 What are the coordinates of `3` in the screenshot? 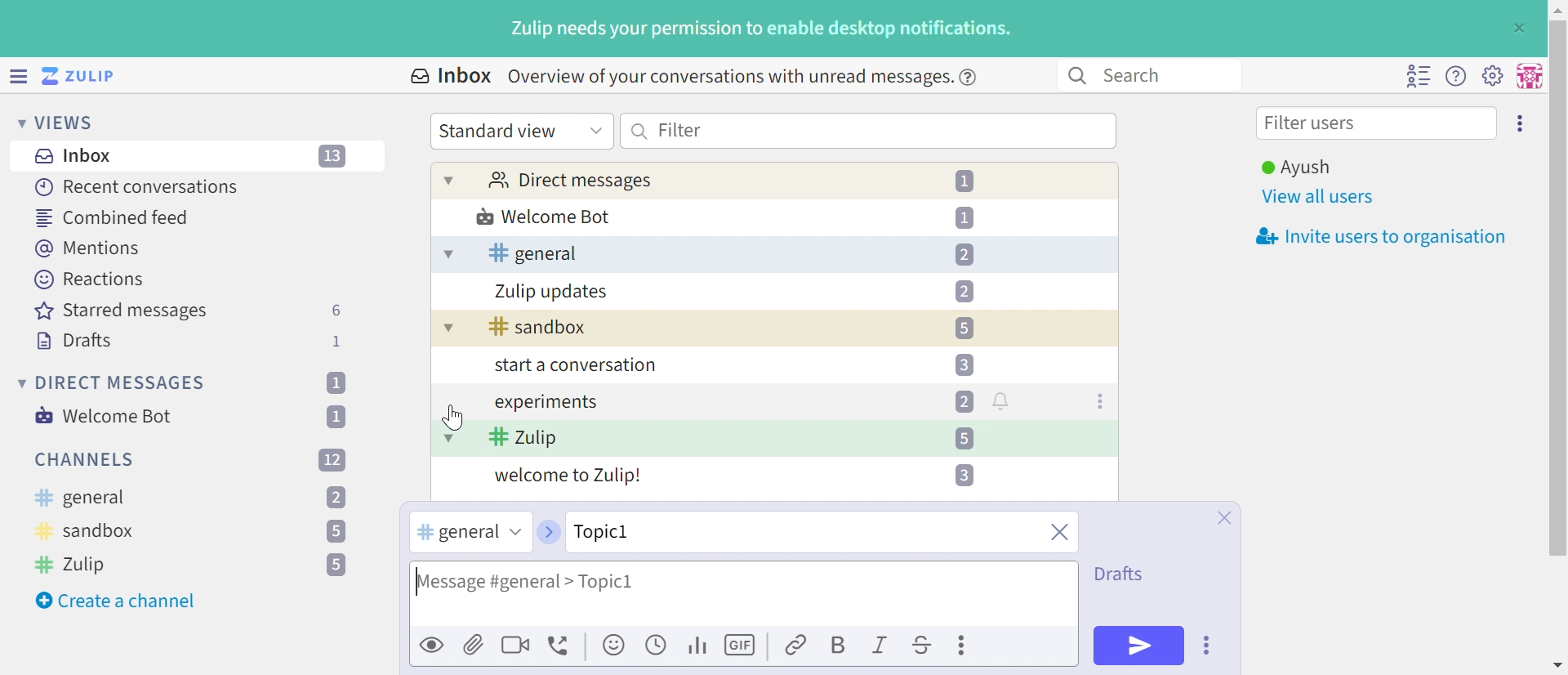 It's located at (962, 475).